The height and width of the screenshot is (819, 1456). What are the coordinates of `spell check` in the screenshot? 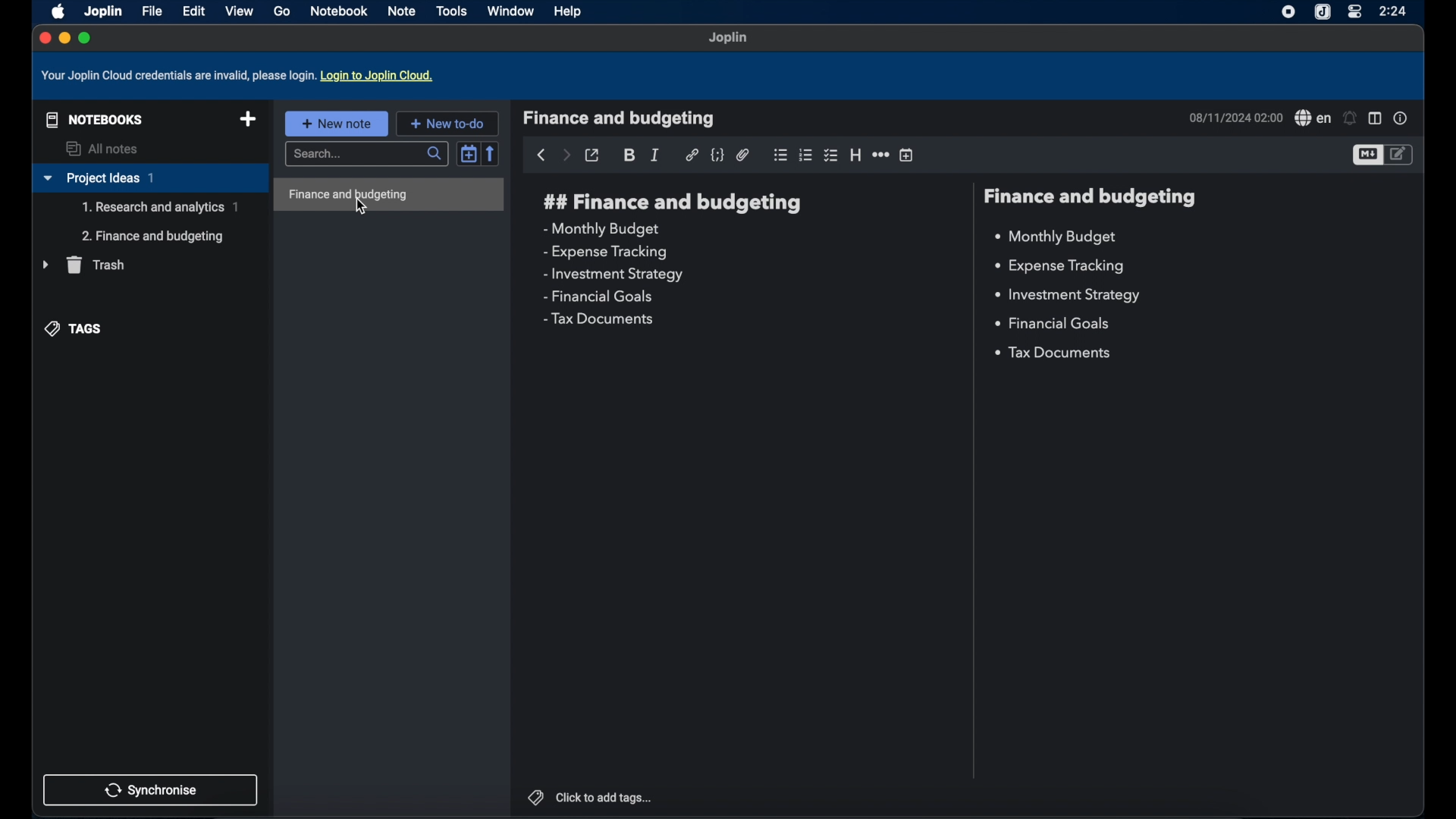 It's located at (1312, 118).